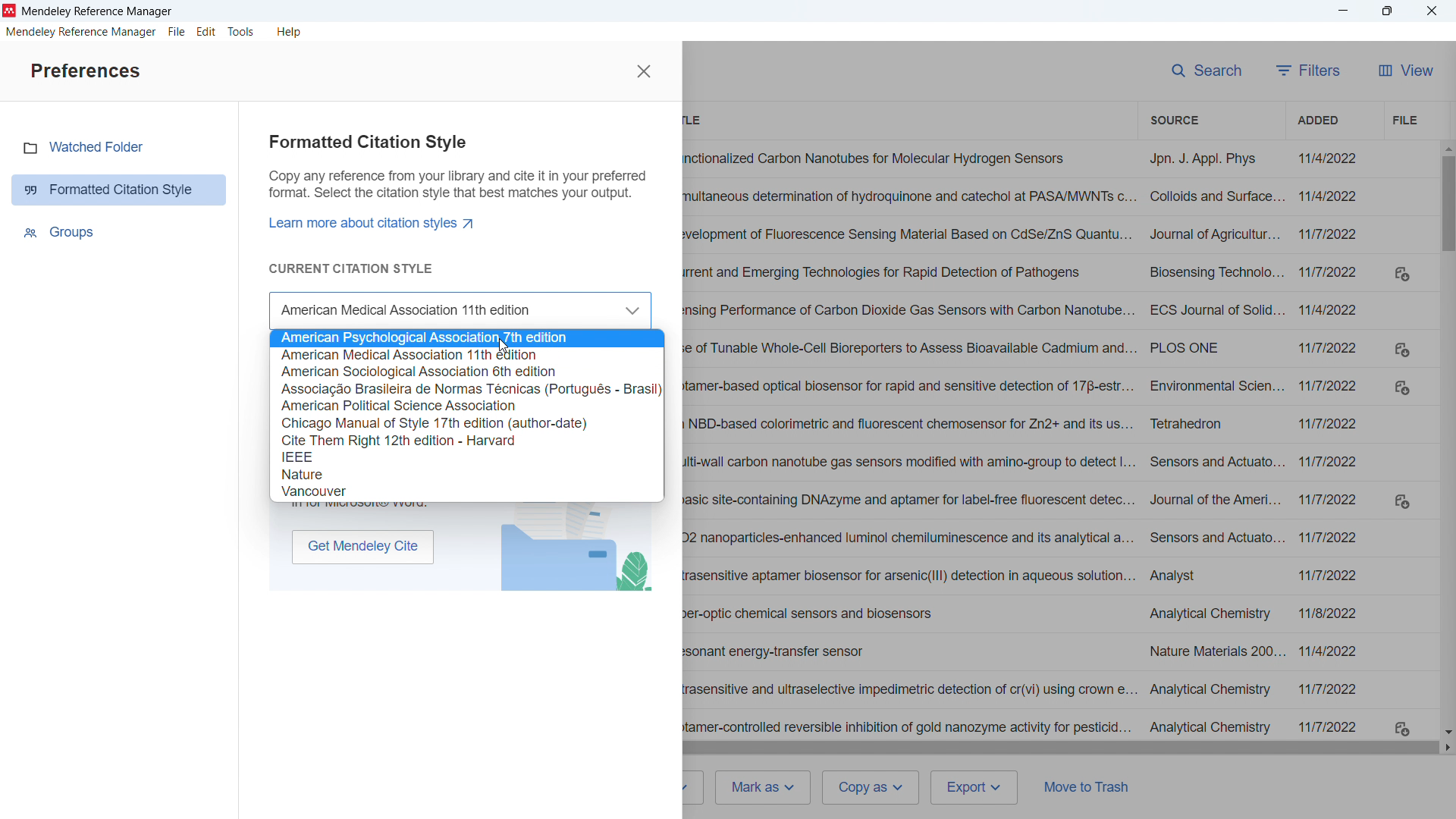  Describe the element at coordinates (466, 423) in the screenshot. I see `Chicago manual of style 17th edition (author-date)` at that location.